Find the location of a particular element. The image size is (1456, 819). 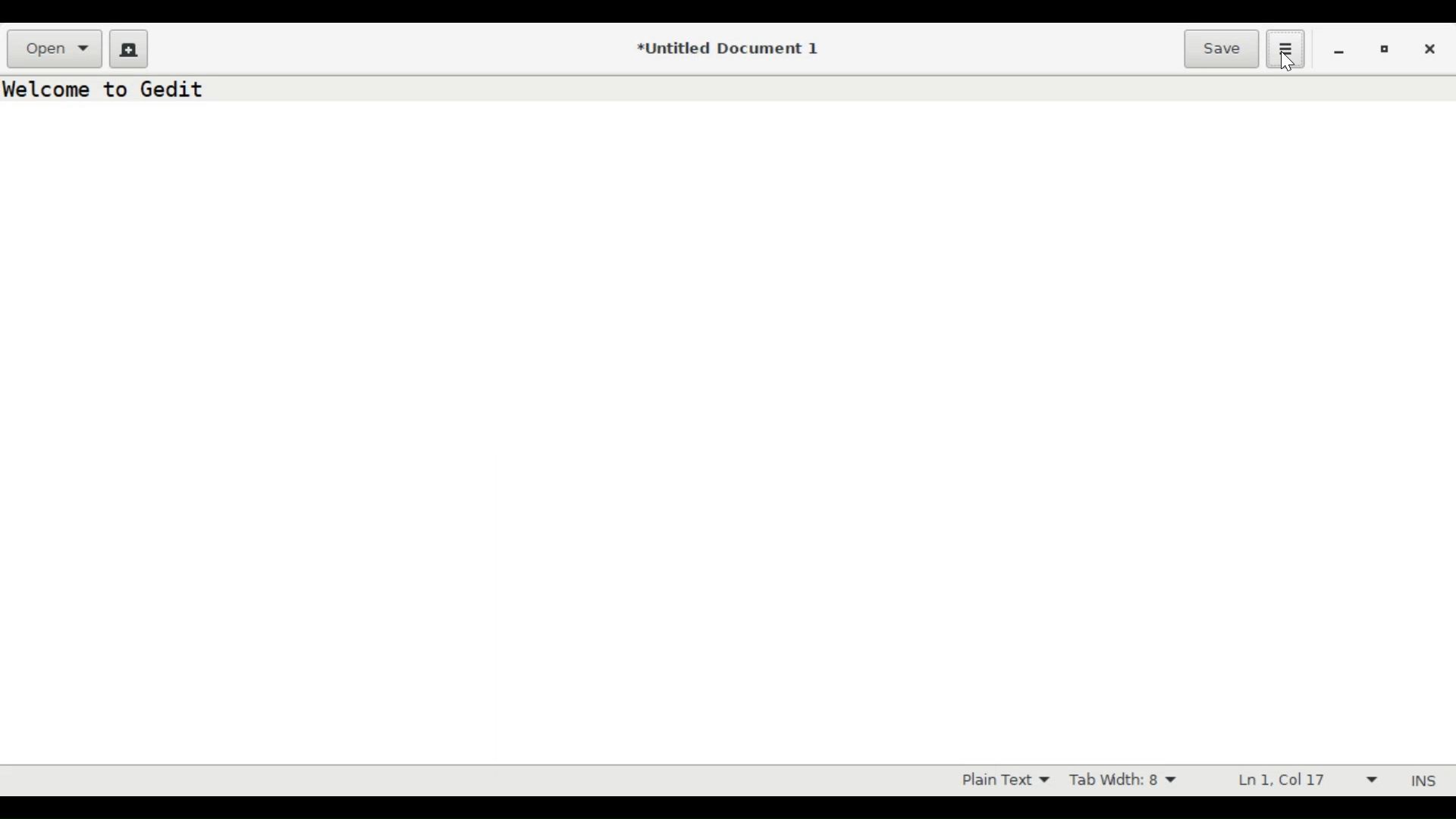

Close is located at coordinates (1431, 51).